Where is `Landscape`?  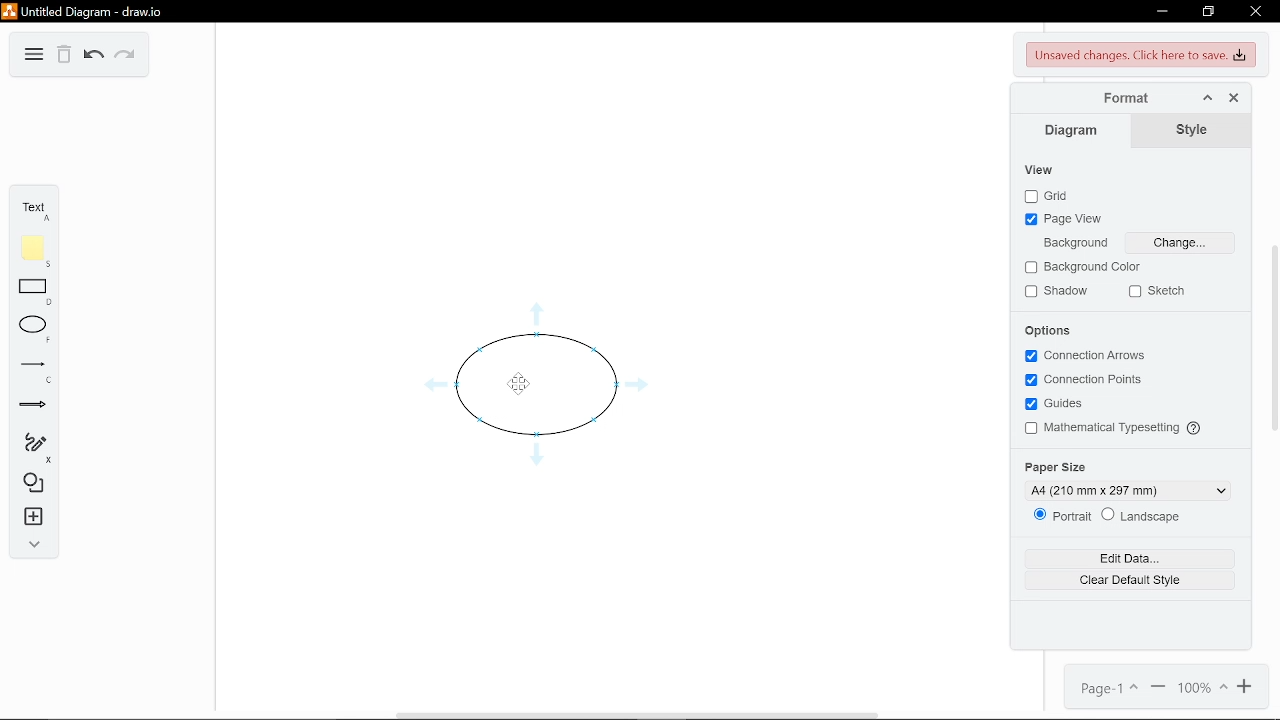
Landscape is located at coordinates (1153, 517).